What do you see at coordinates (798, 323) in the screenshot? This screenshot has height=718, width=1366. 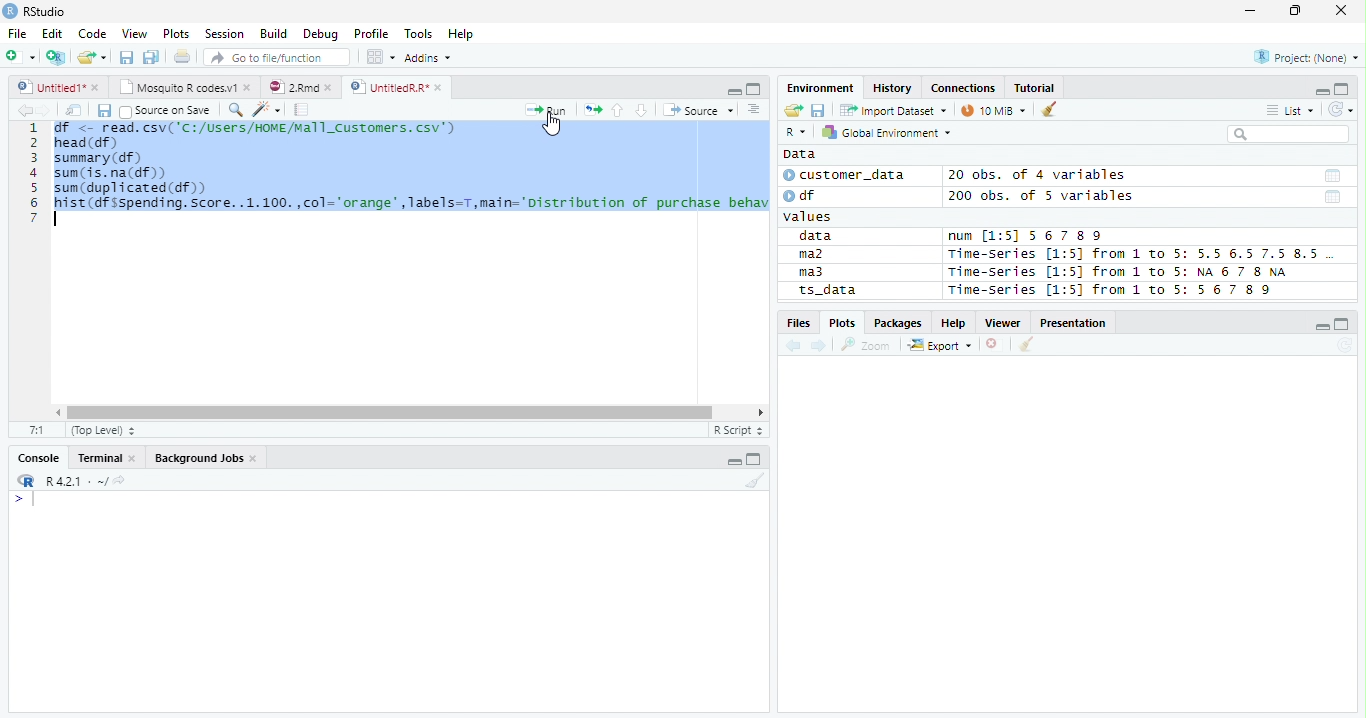 I see `Files` at bounding box center [798, 323].